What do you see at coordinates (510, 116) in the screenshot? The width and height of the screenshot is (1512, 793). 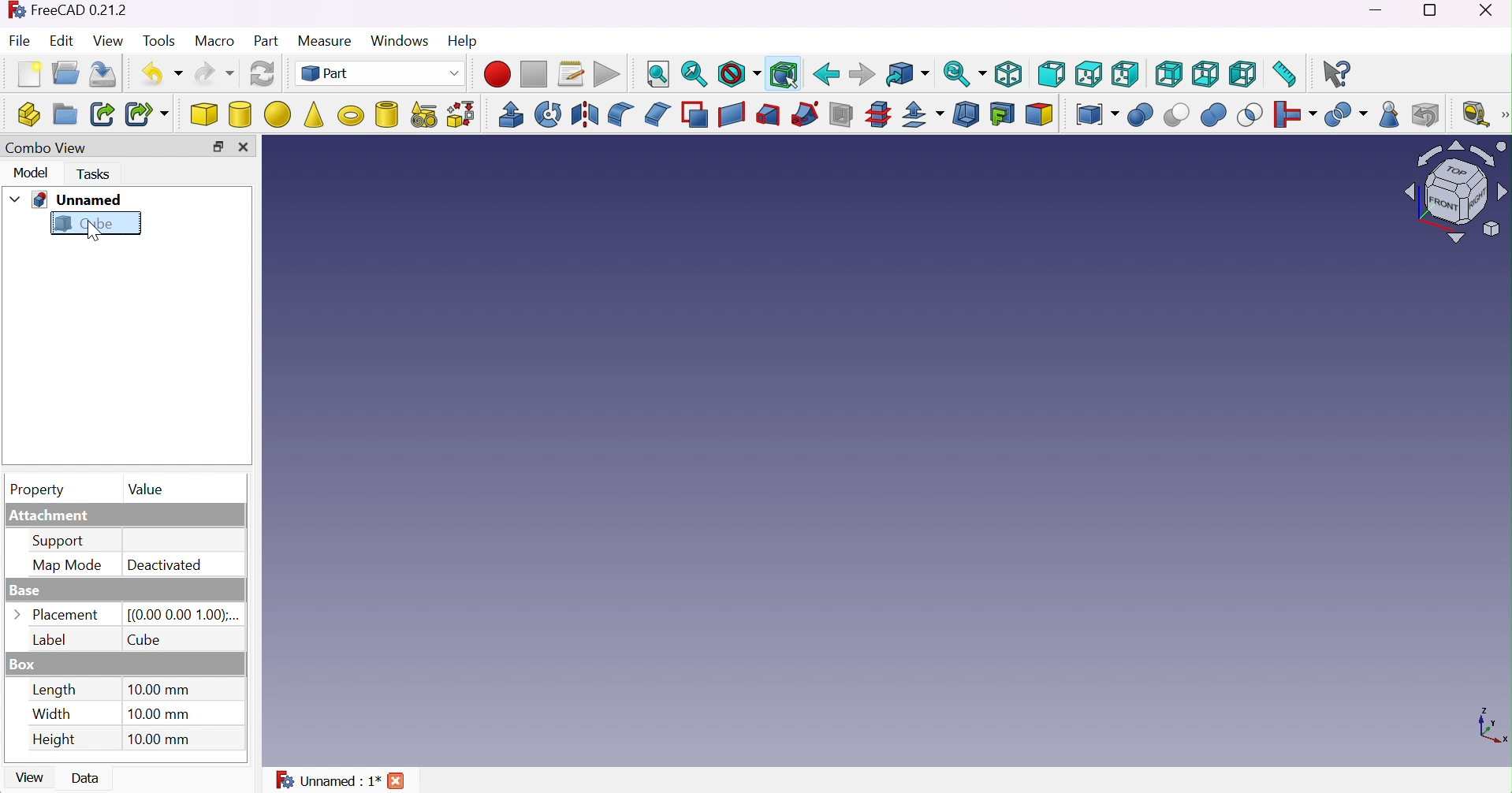 I see `Extrude` at bounding box center [510, 116].